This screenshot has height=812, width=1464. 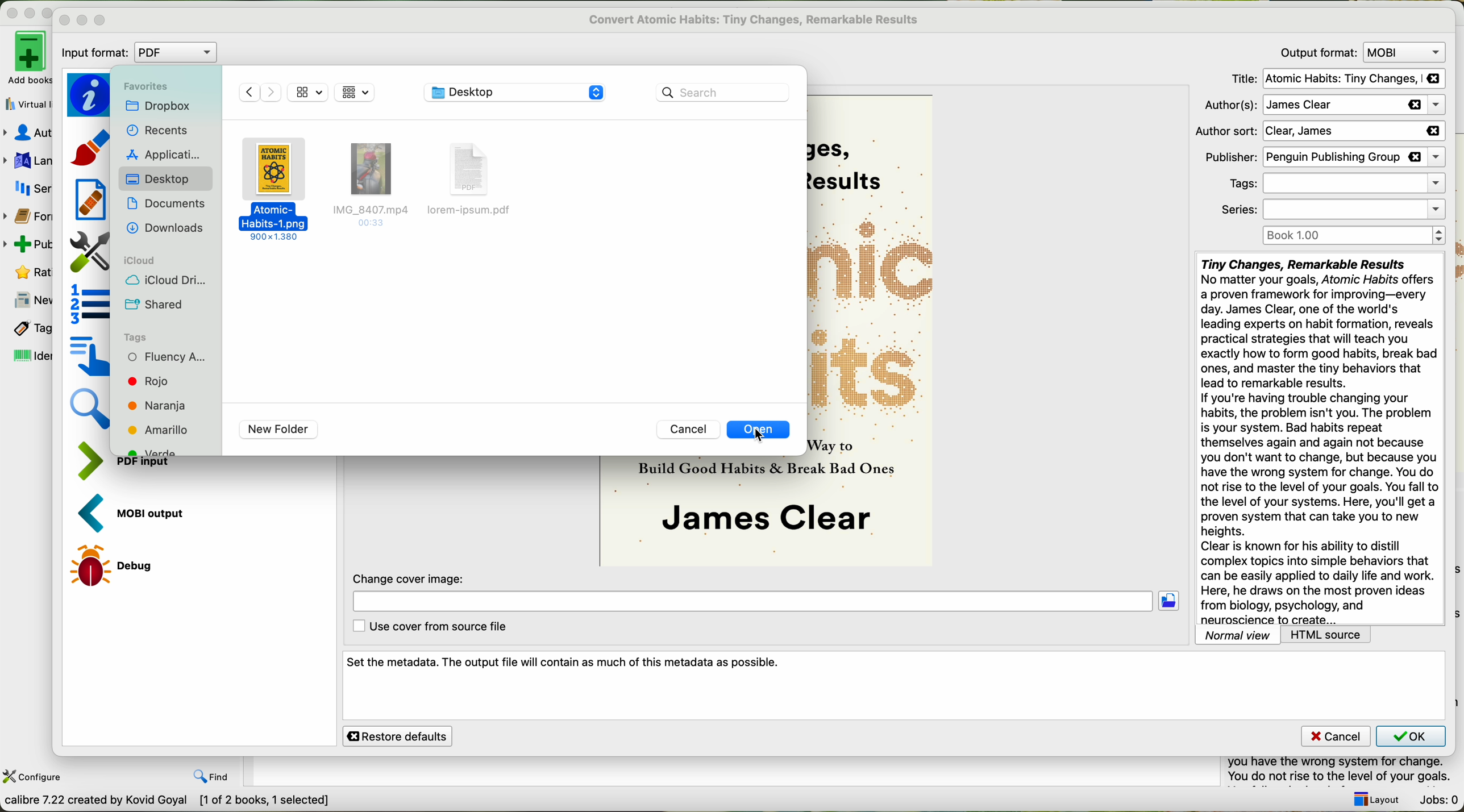 I want to click on languages, so click(x=26, y=162).